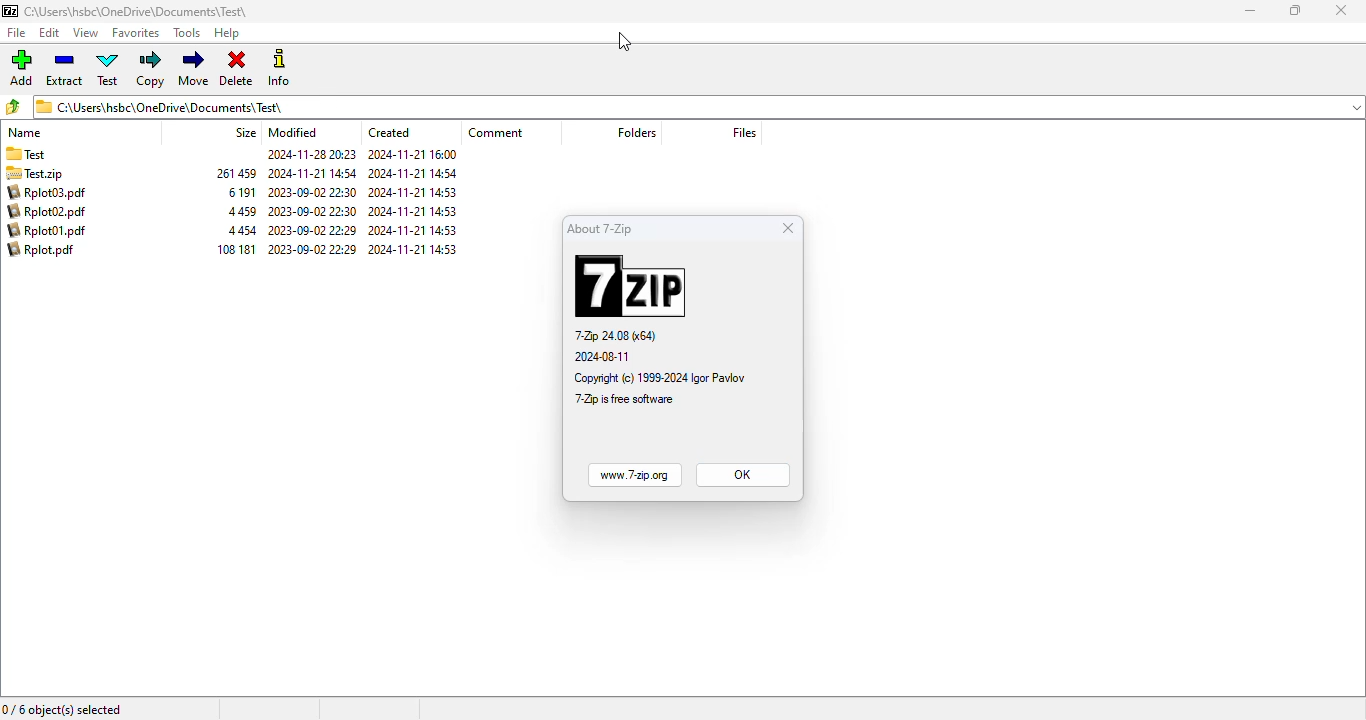 This screenshot has width=1366, height=720. What do you see at coordinates (63, 708) in the screenshot?
I see `0/6 object(s) selected` at bounding box center [63, 708].